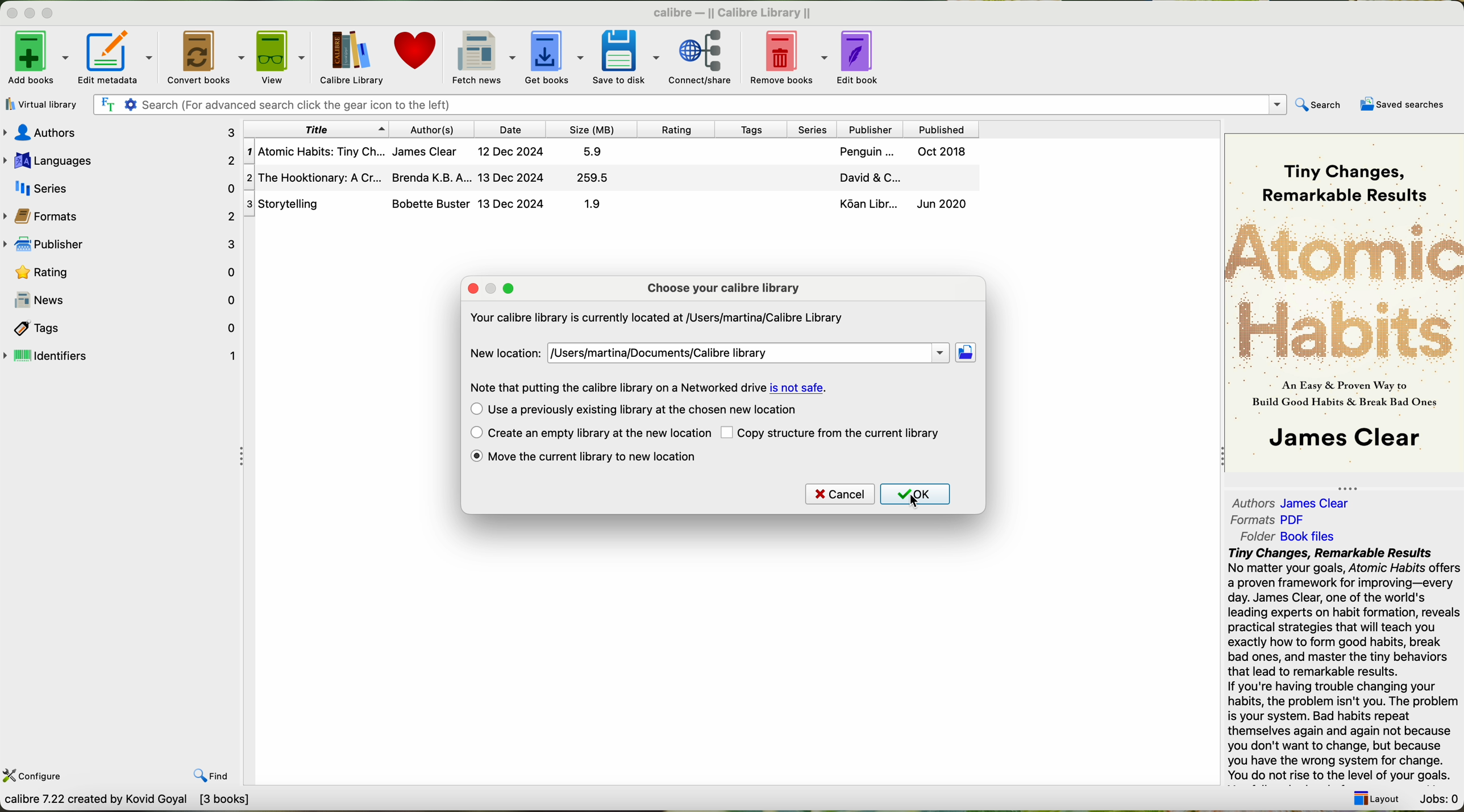 This screenshot has height=812, width=1464. What do you see at coordinates (554, 55) in the screenshot?
I see `get books` at bounding box center [554, 55].